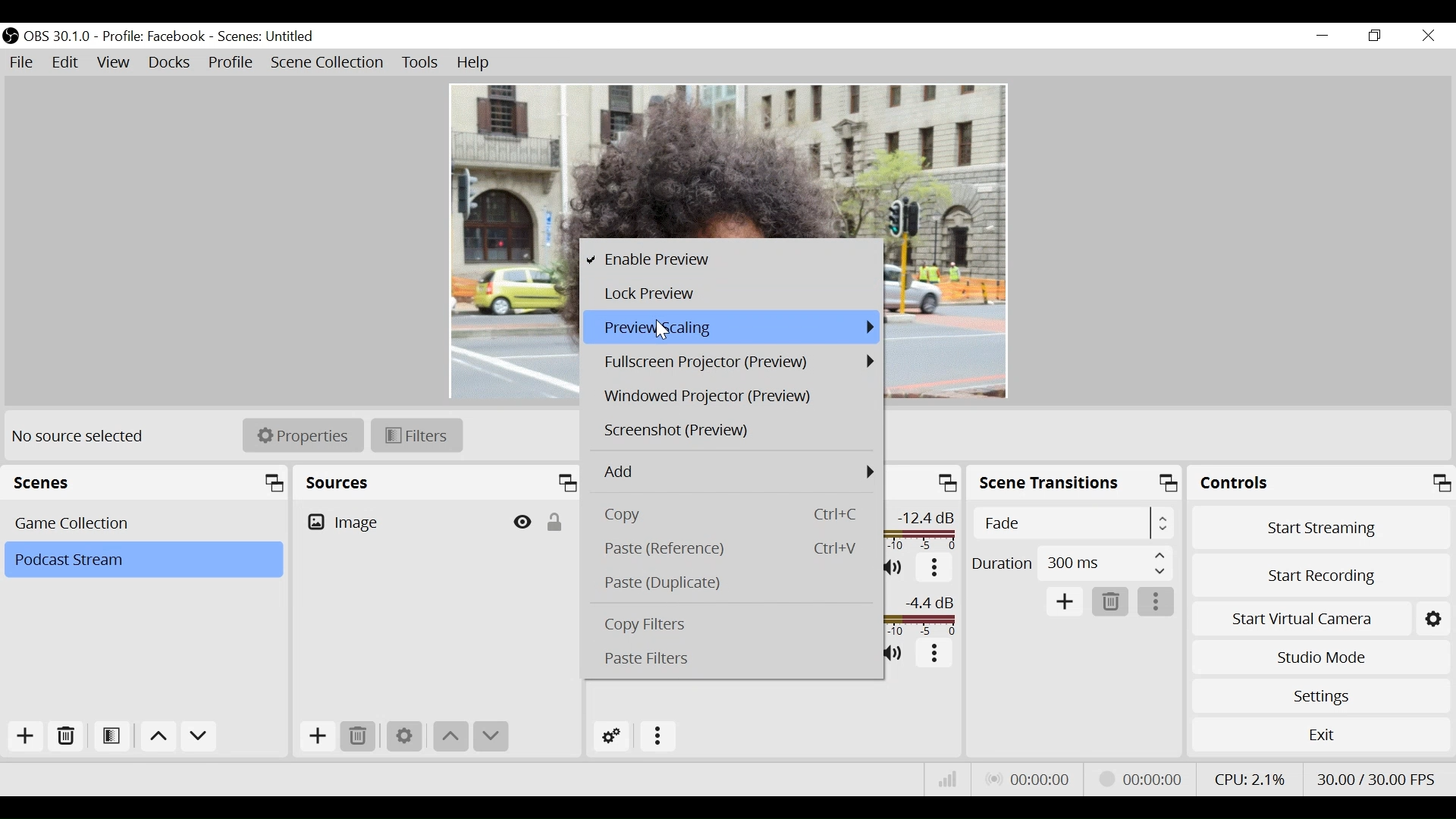 The width and height of the screenshot is (1456, 819). I want to click on Scenes Panel, so click(148, 482).